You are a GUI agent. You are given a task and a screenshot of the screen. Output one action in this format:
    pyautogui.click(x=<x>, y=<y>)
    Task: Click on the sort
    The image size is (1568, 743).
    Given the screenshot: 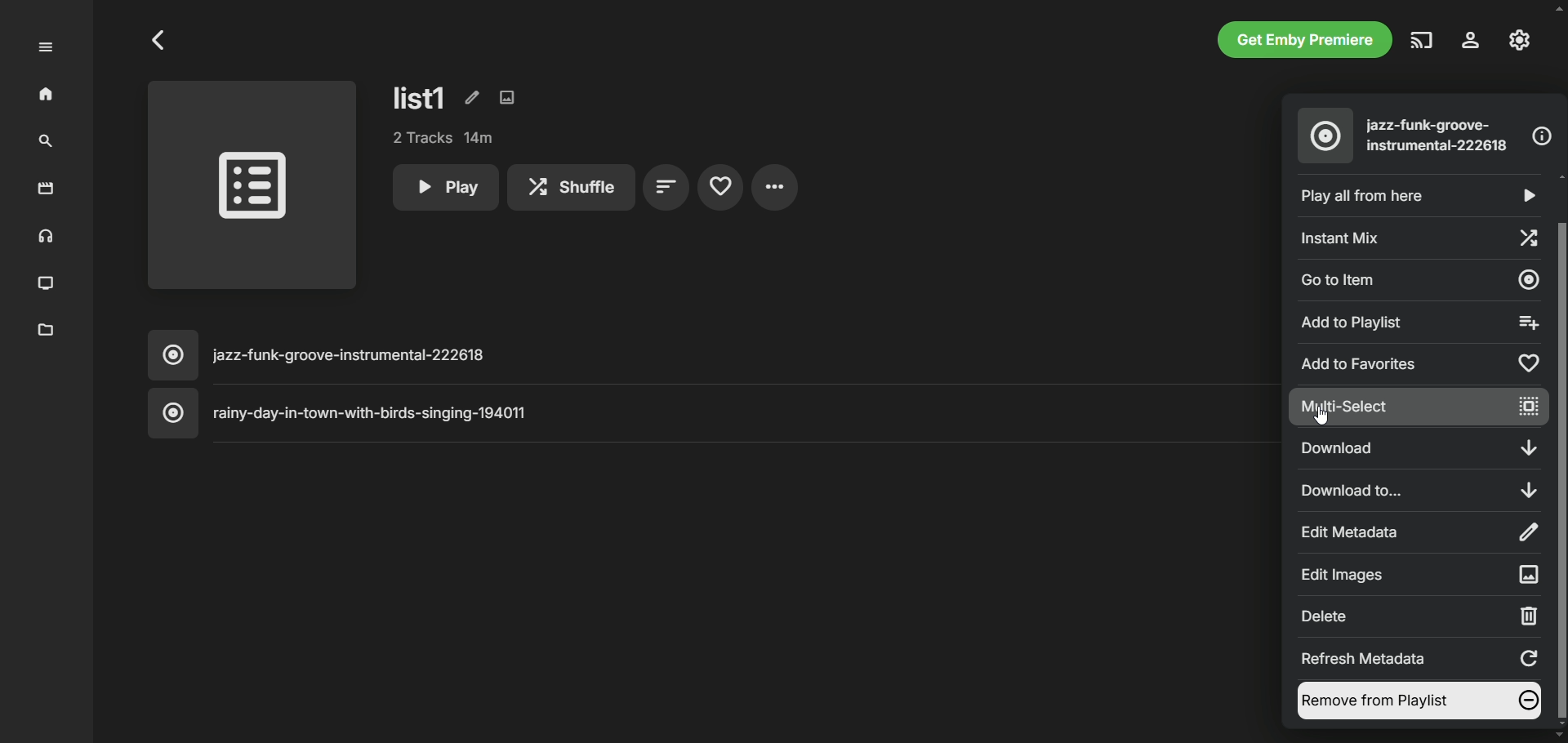 What is the action you would take?
    pyautogui.click(x=666, y=188)
    